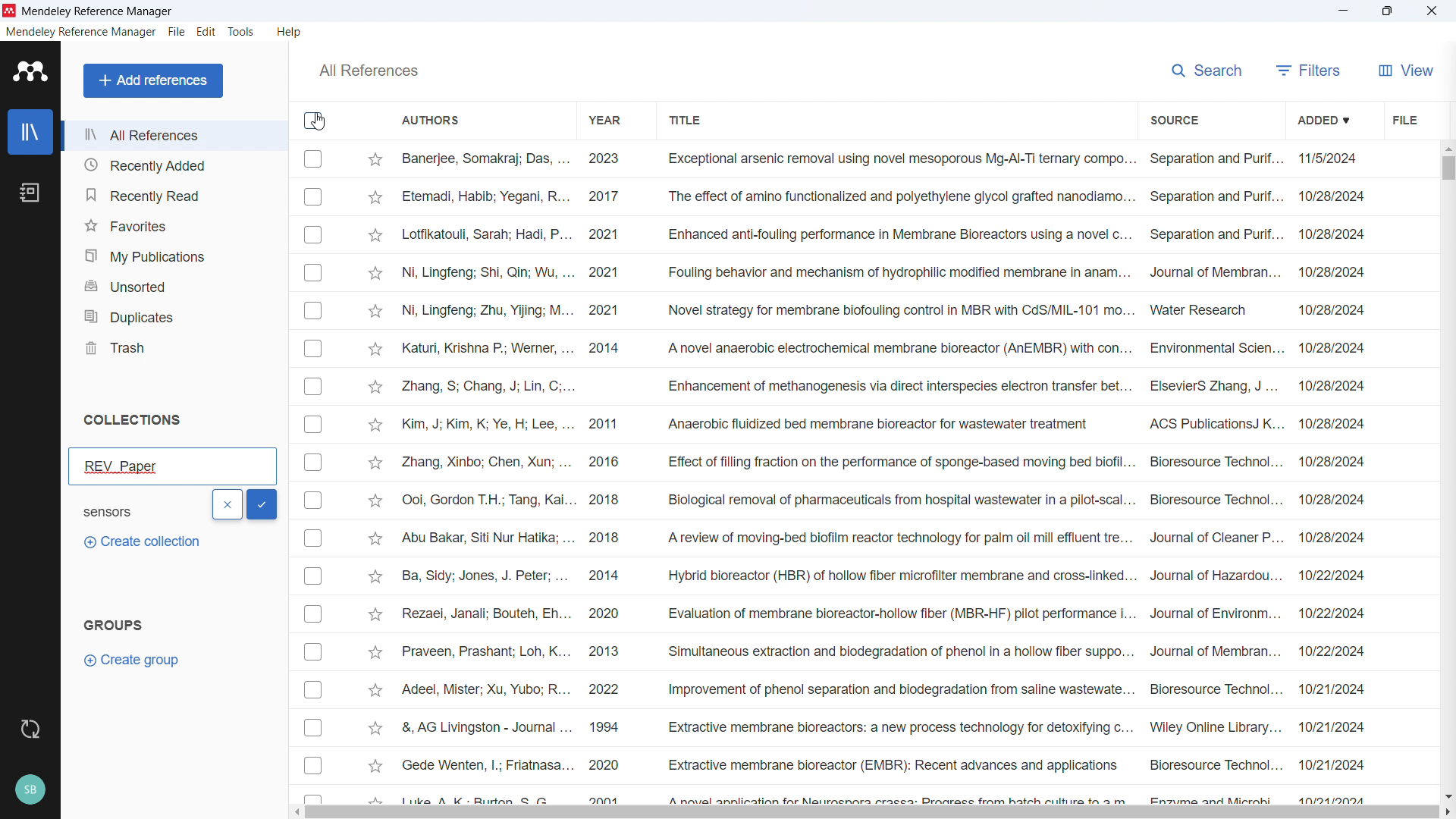  Describe the element at coordinates (1346, 11) in the screenshot. I see `minimise ` at that location.